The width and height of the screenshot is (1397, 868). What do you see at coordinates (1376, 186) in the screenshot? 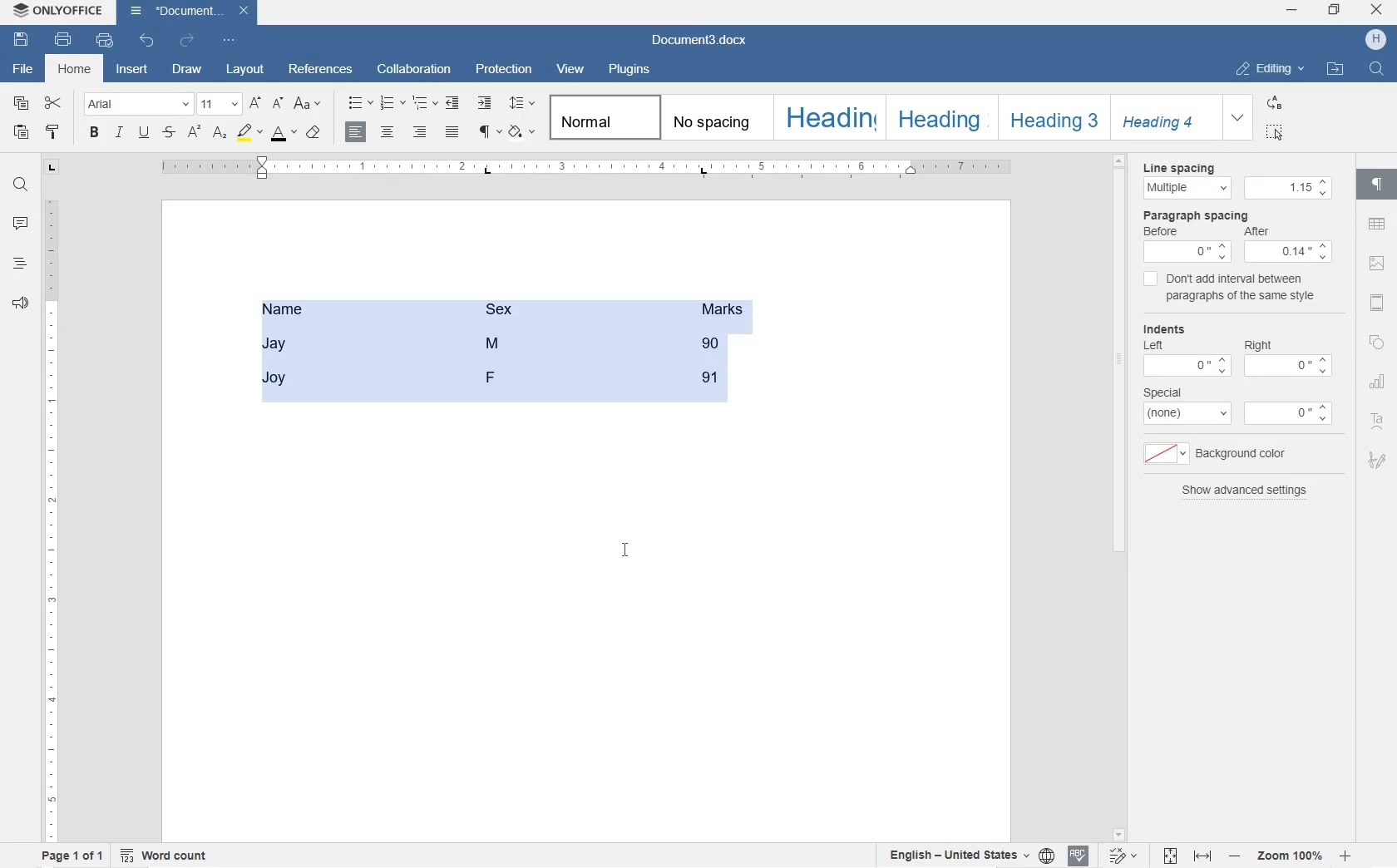
I see `PARAGRAPH SETTINGS` at bounding box center [1376, 186].